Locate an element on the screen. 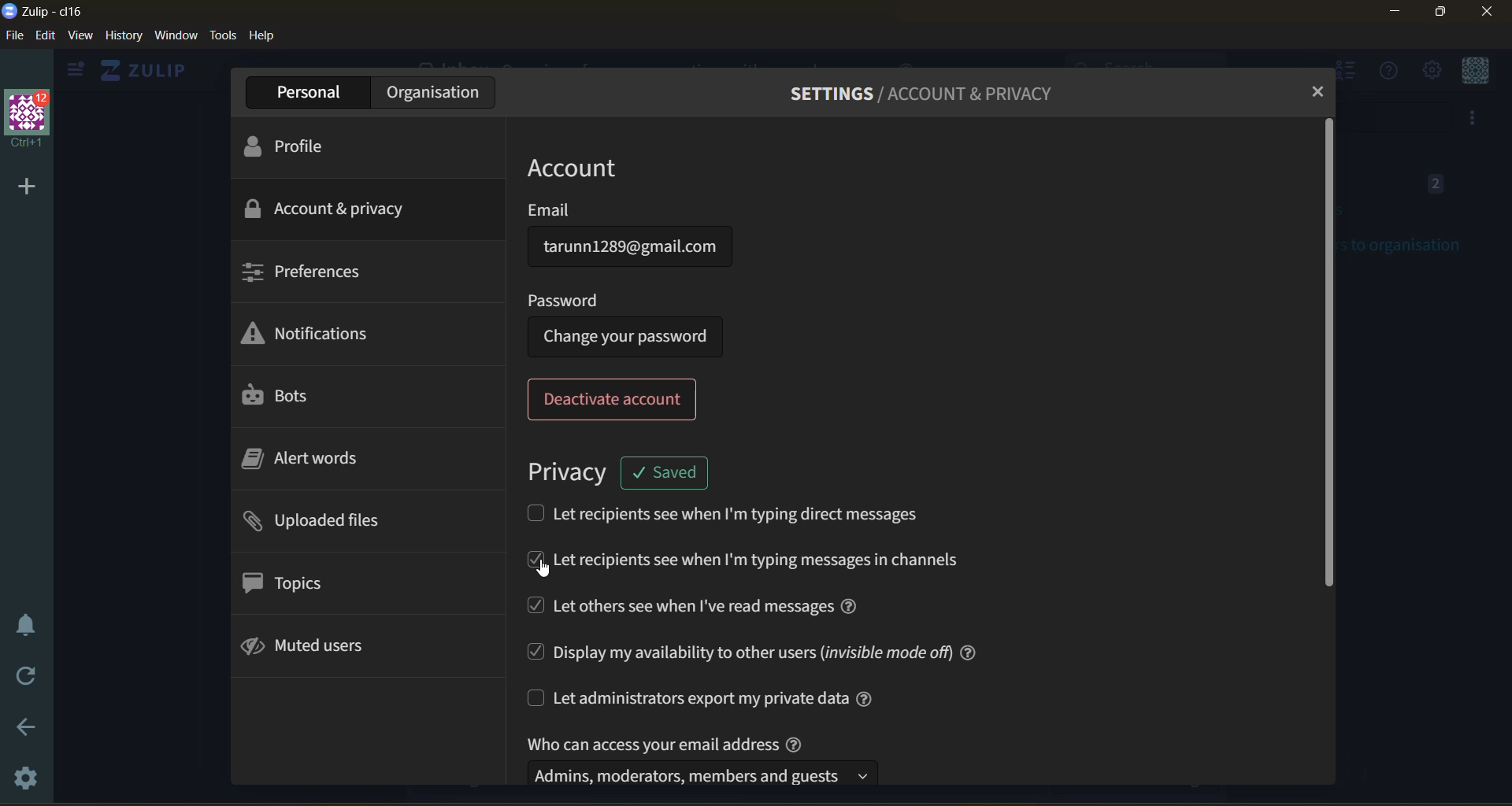  preferences is located at coordinates (302, 269).